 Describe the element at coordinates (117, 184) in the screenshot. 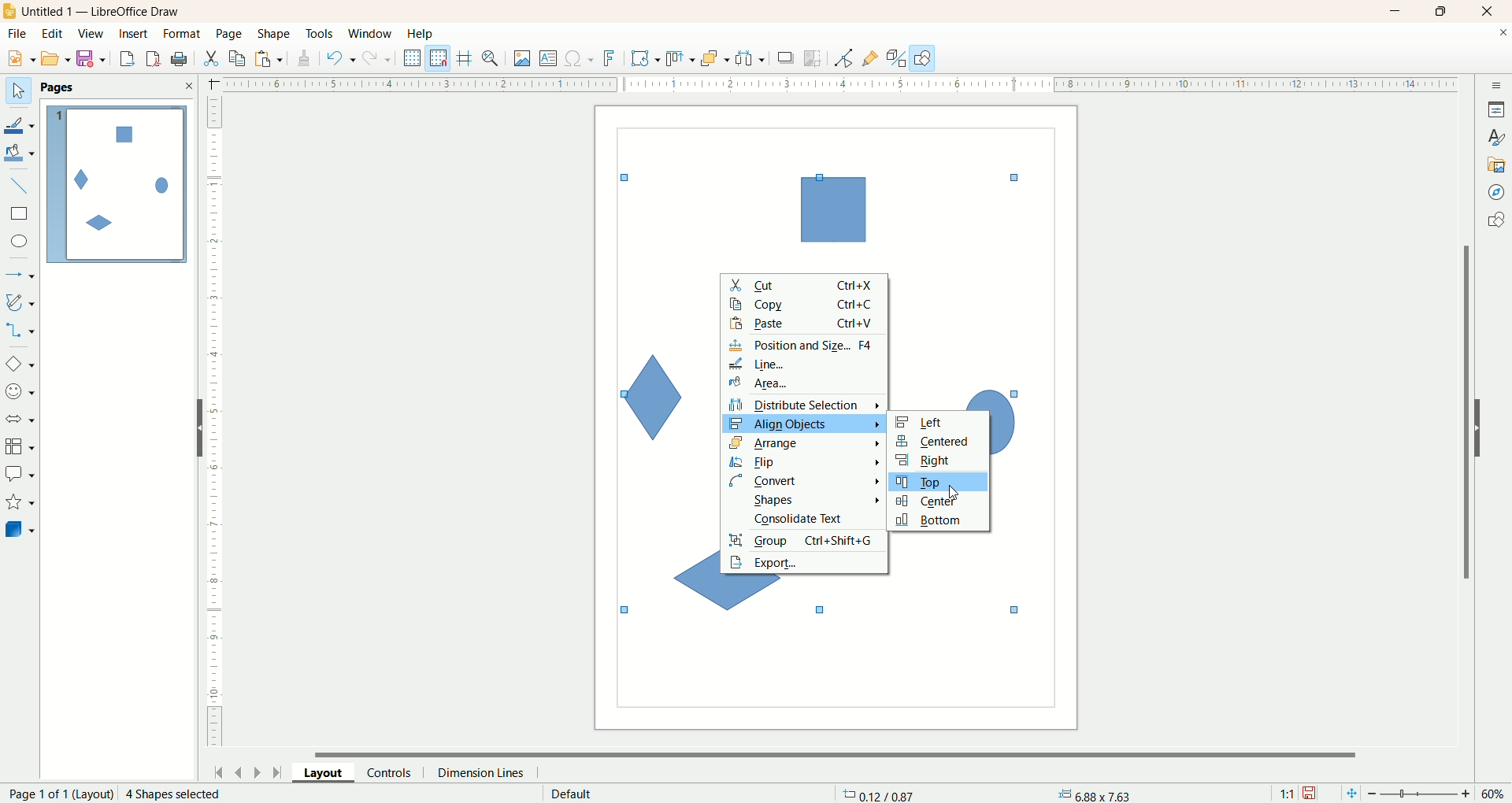

I see `page1` at that location.